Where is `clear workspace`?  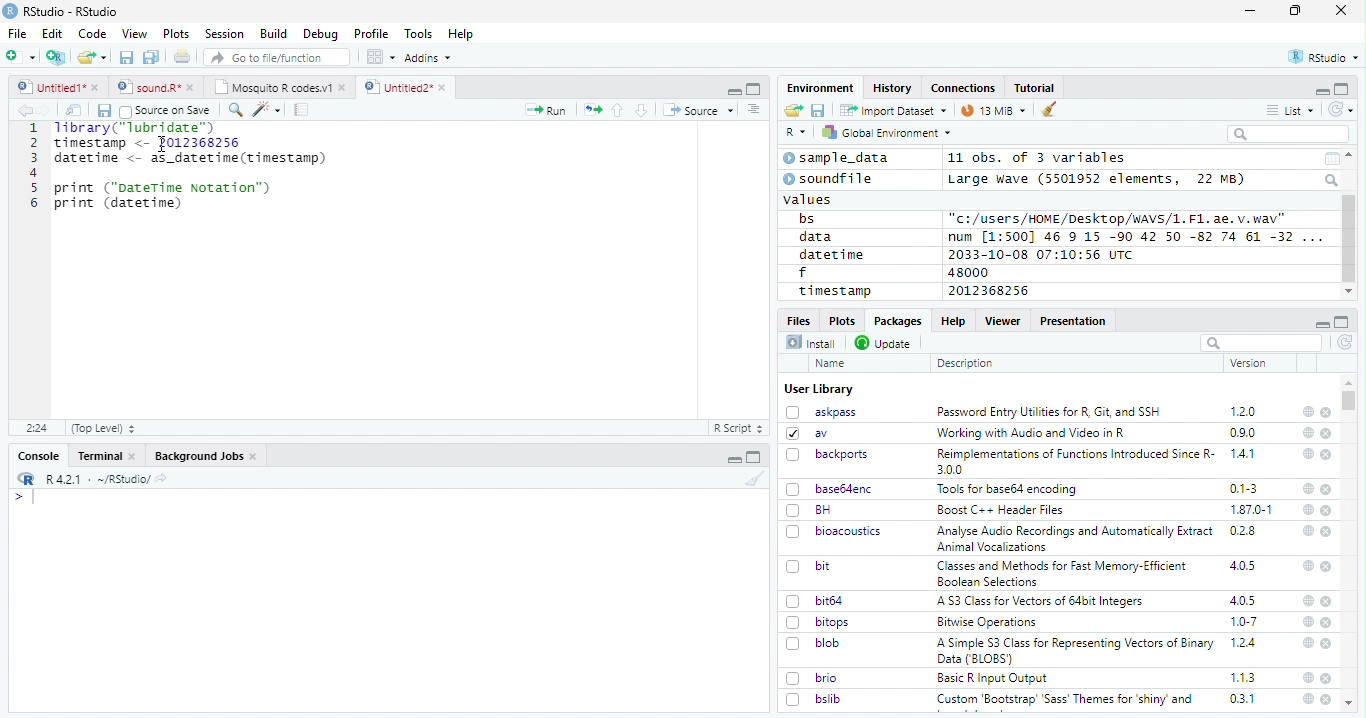
clear workspace is located at coordinates (1050, 110).